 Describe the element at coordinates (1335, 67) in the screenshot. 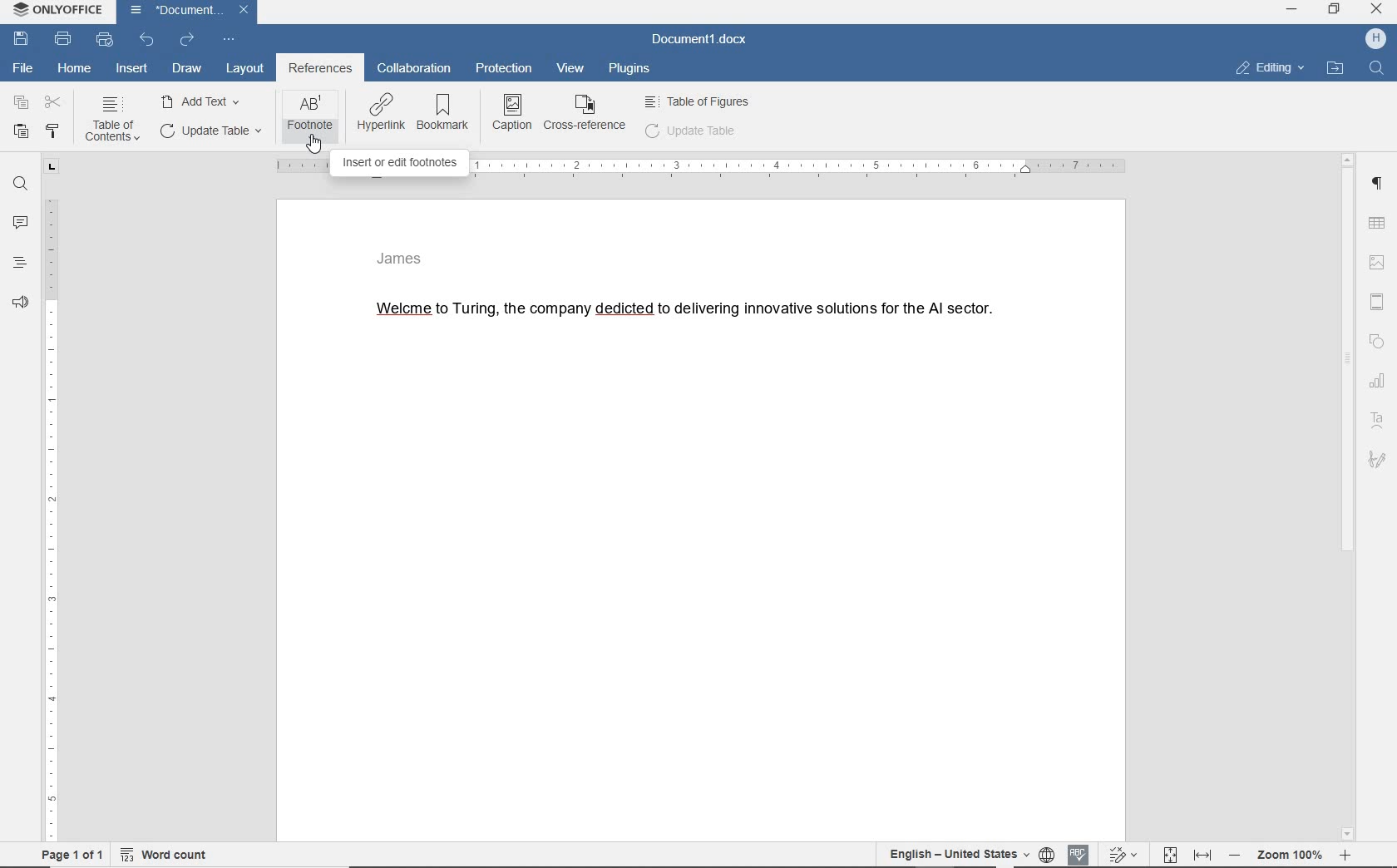

I see `OPEN FILE LOCATION` at that location.